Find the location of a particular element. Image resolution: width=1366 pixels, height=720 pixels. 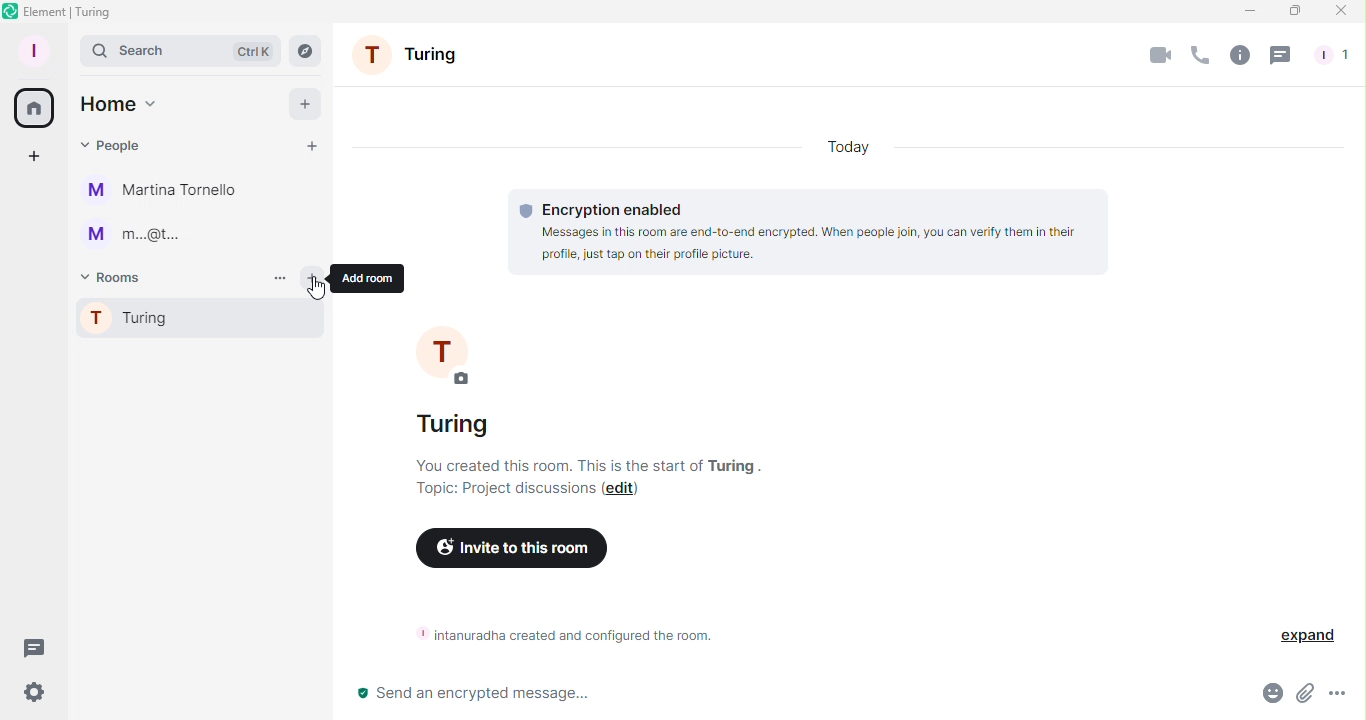

Call is located at coordinates (1200, 56).